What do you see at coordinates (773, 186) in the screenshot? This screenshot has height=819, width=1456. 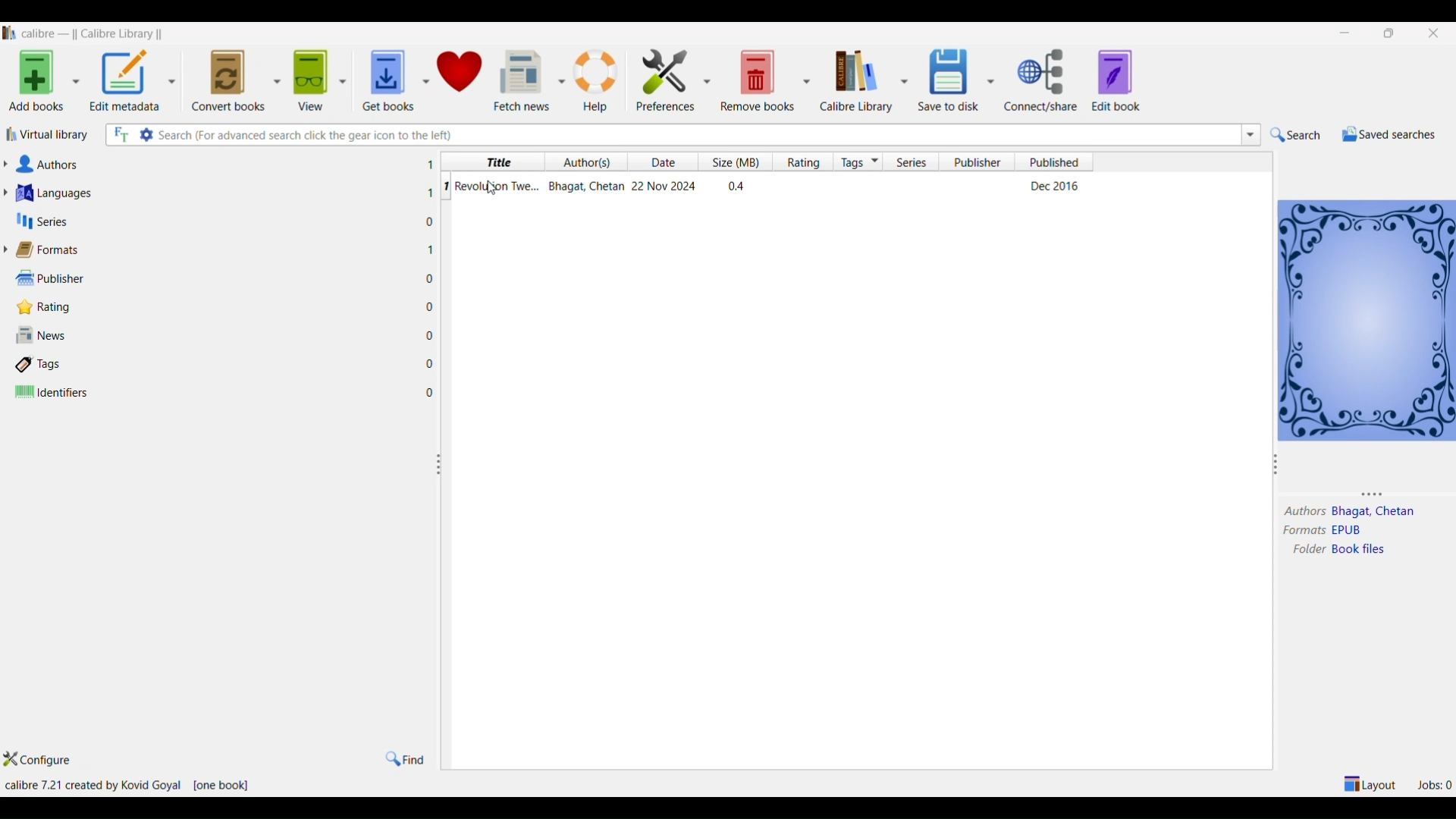 I see `book details` at bounding box center [773, 186].